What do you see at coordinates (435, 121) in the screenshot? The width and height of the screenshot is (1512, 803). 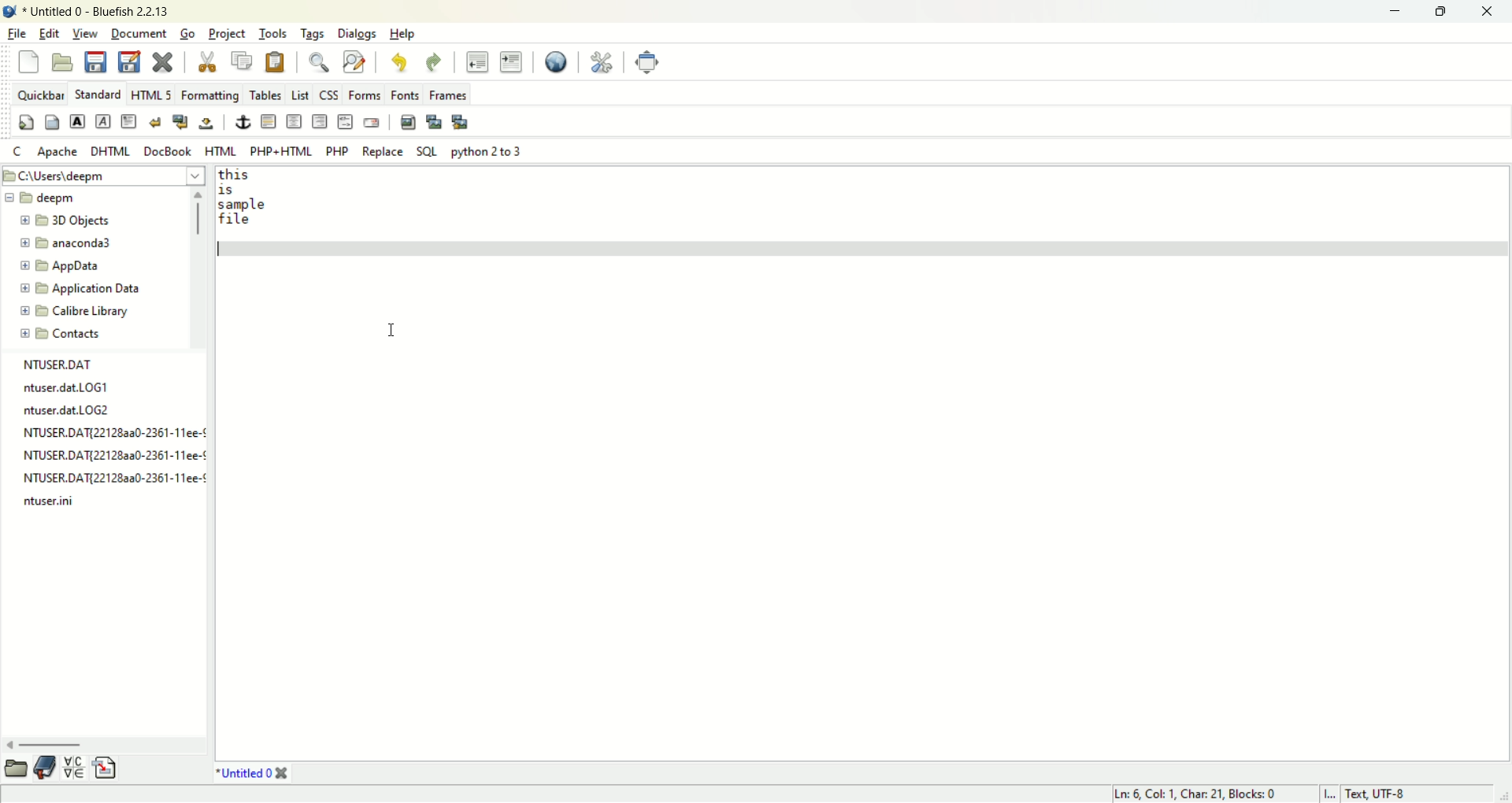 I see `insert thumbnail` at bounding box center [435, 121].